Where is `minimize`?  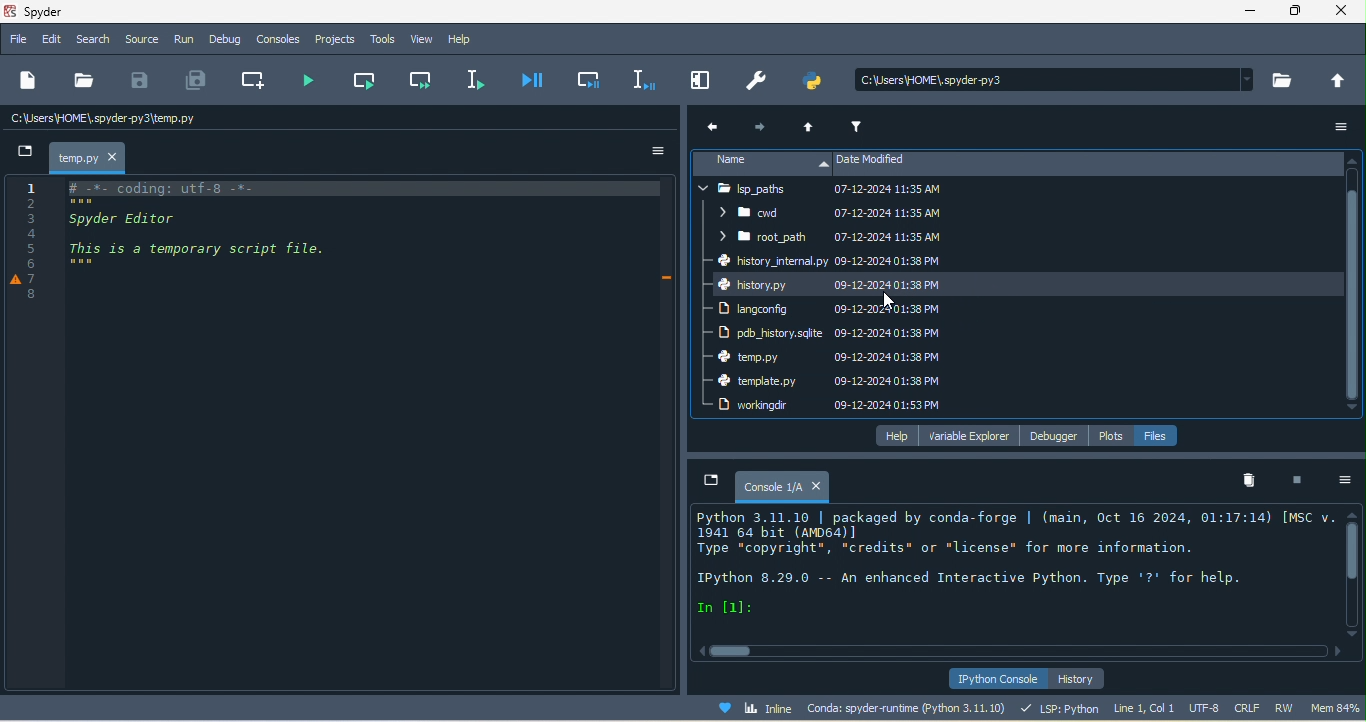 minimize is located at coordinates (1247, 11).